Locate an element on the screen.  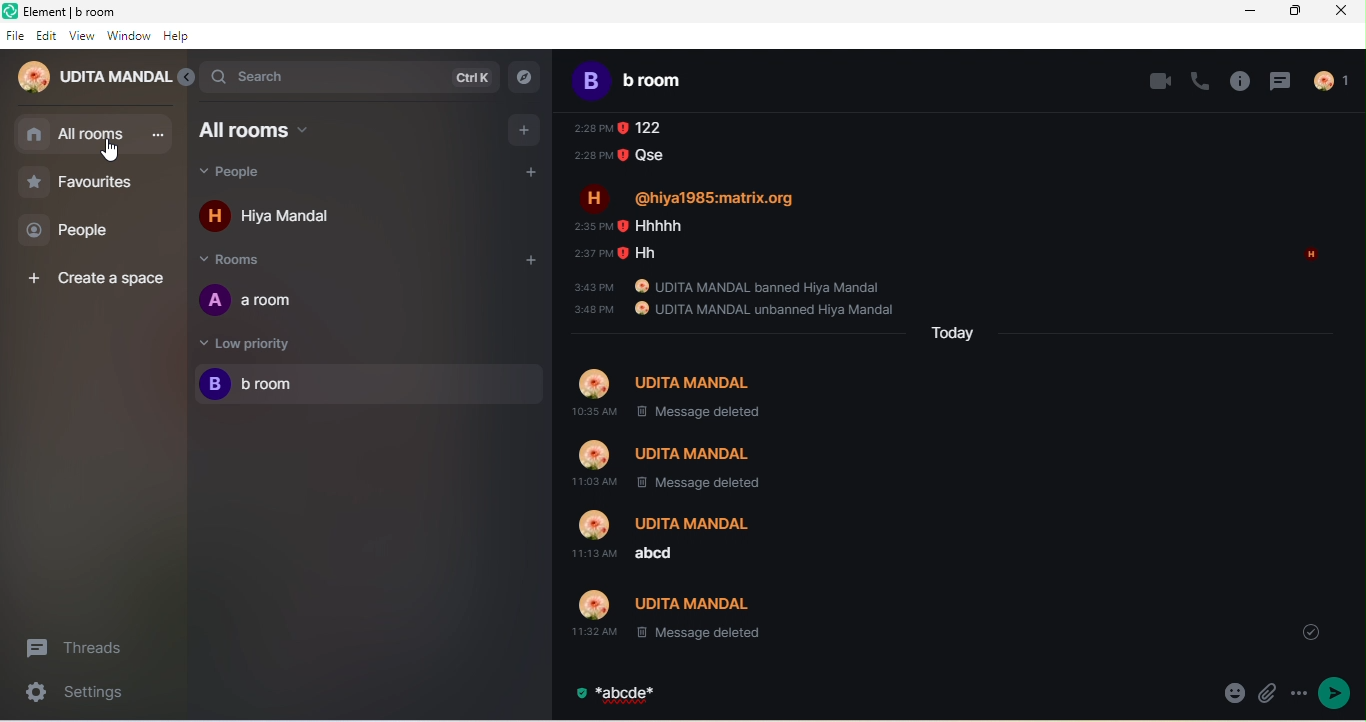
attachment is located at coordinates (1265, 694).